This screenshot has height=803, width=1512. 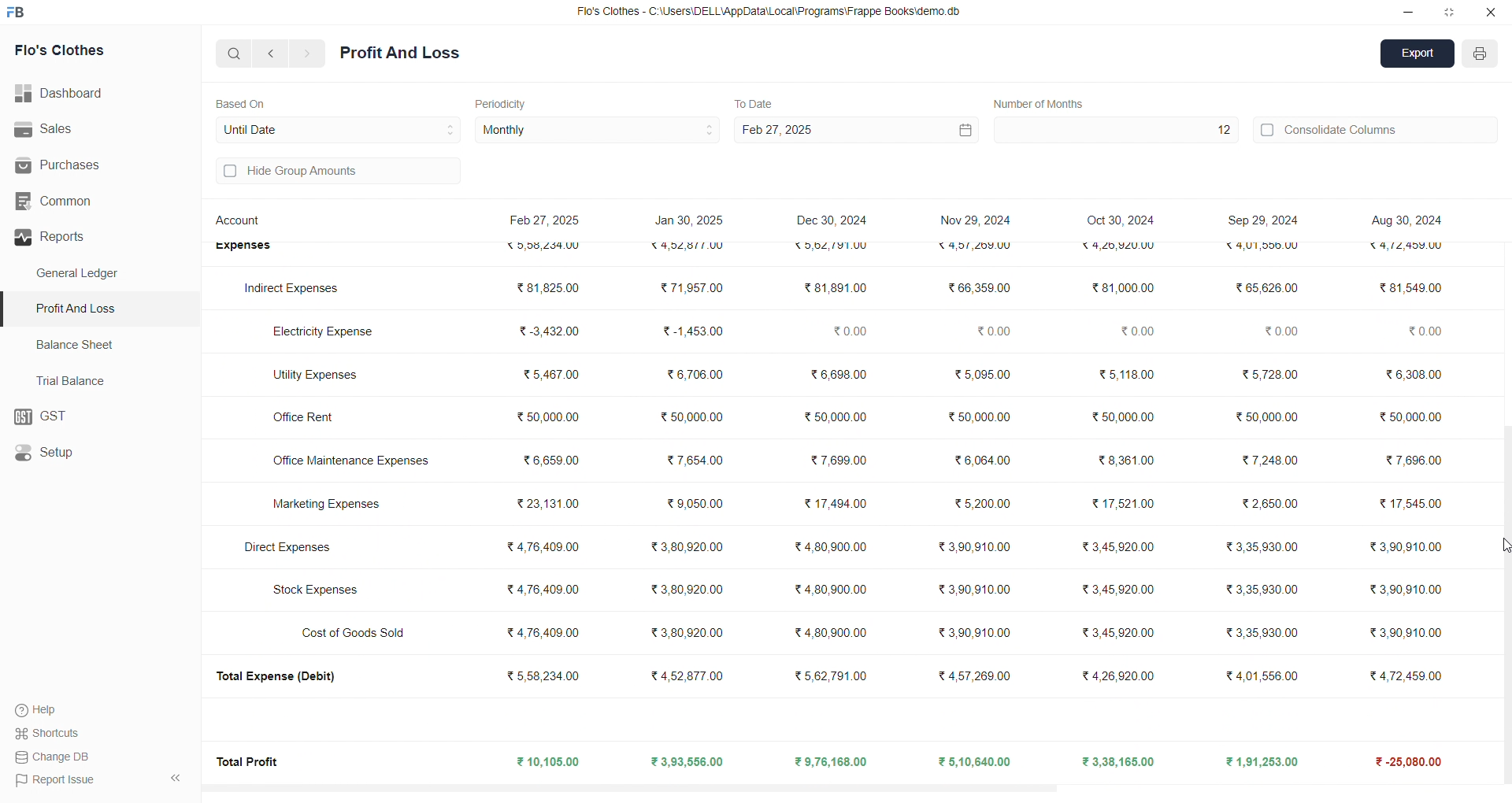 What do you see at coordinates (80, 202) in the screenshot?
I see `Common` at bounding box center [80, 202].